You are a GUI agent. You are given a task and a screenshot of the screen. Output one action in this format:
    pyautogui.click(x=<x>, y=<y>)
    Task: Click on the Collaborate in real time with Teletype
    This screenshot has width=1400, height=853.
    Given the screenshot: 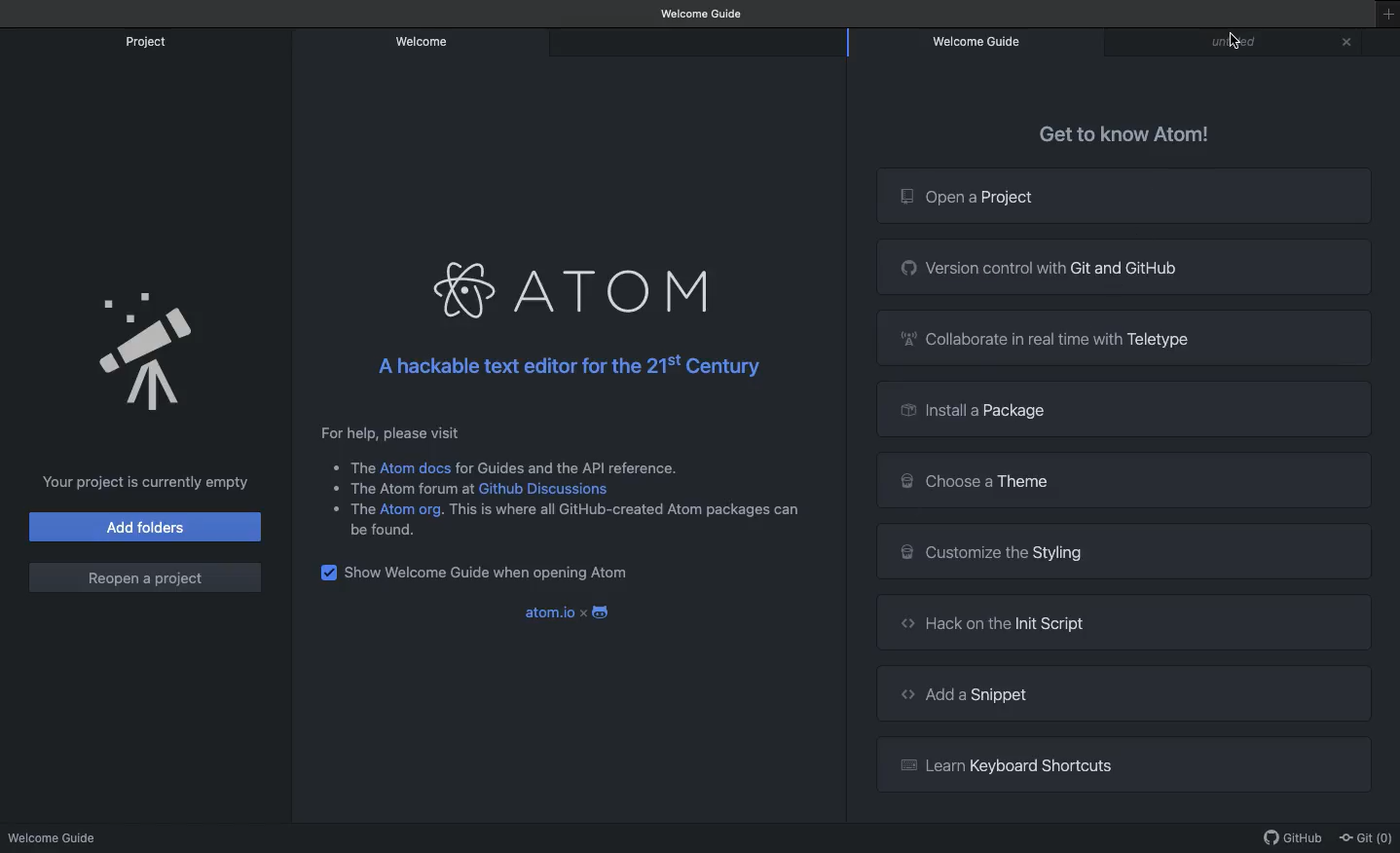 What is the action you would take?
    pyautogui.click(x=1146, y=337)
    